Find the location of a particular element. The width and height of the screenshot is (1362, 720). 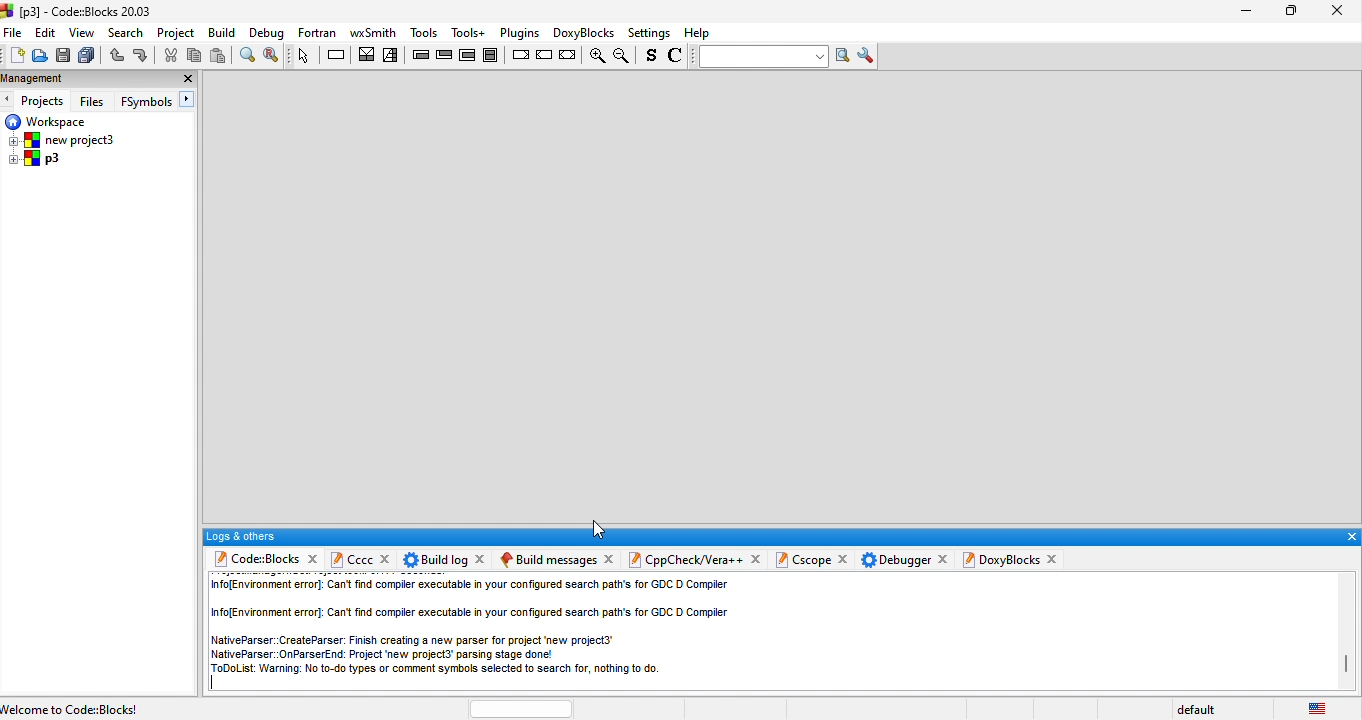

default is located at coordinates (1201, 710).